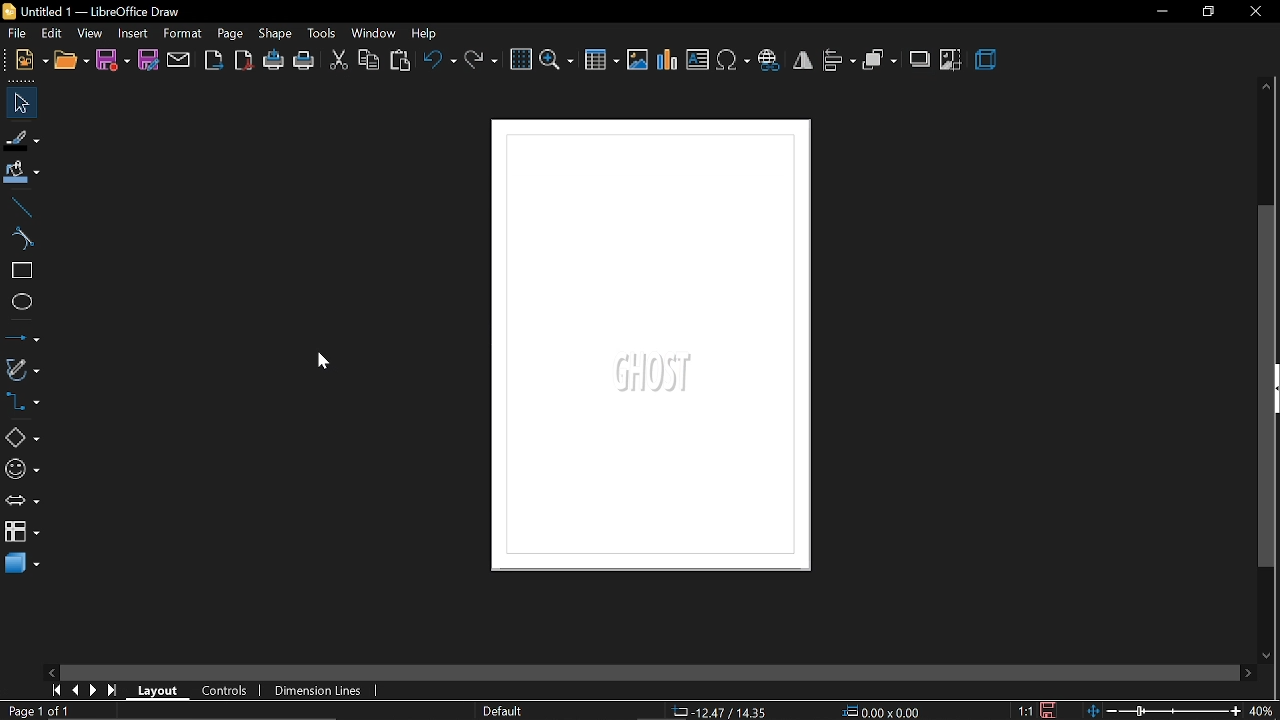  I want to click on save as, so click(149, 60).